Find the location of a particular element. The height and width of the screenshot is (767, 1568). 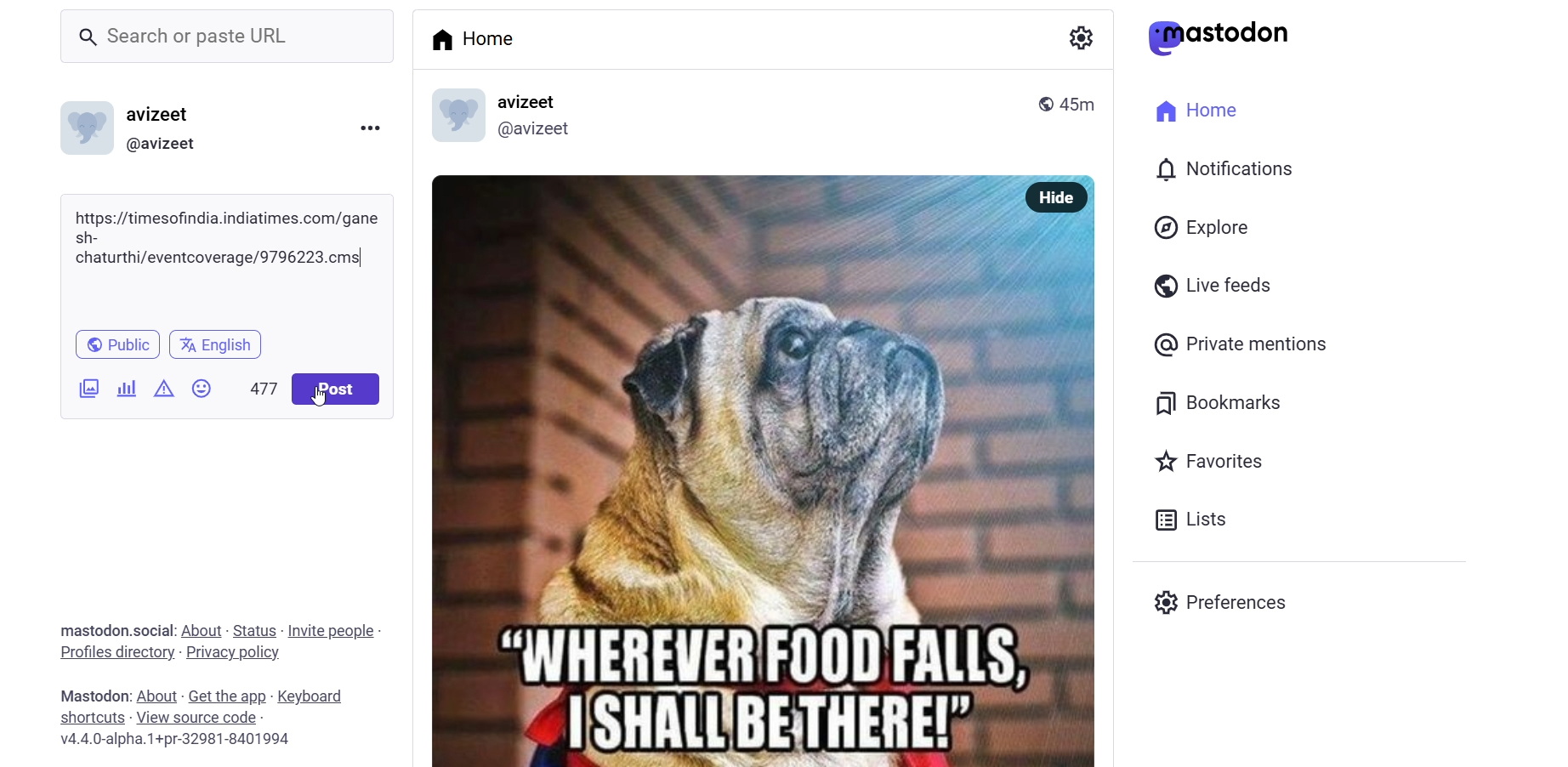

logo is located at coordinates (81, 124).